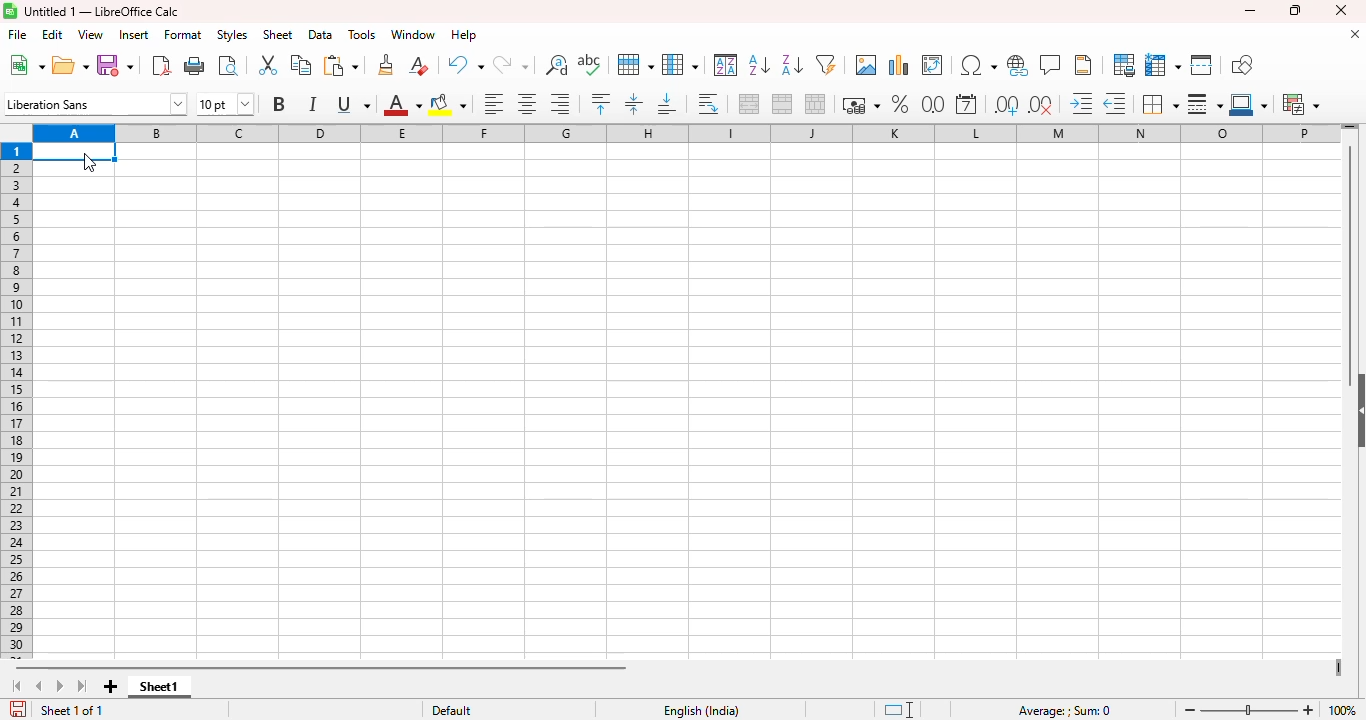 The height and width of the screenshot is (720, 1366). What do you see at coordinates (899, 710) in the screenshot?
I see `standard selection` at bounding box center [899, 710].